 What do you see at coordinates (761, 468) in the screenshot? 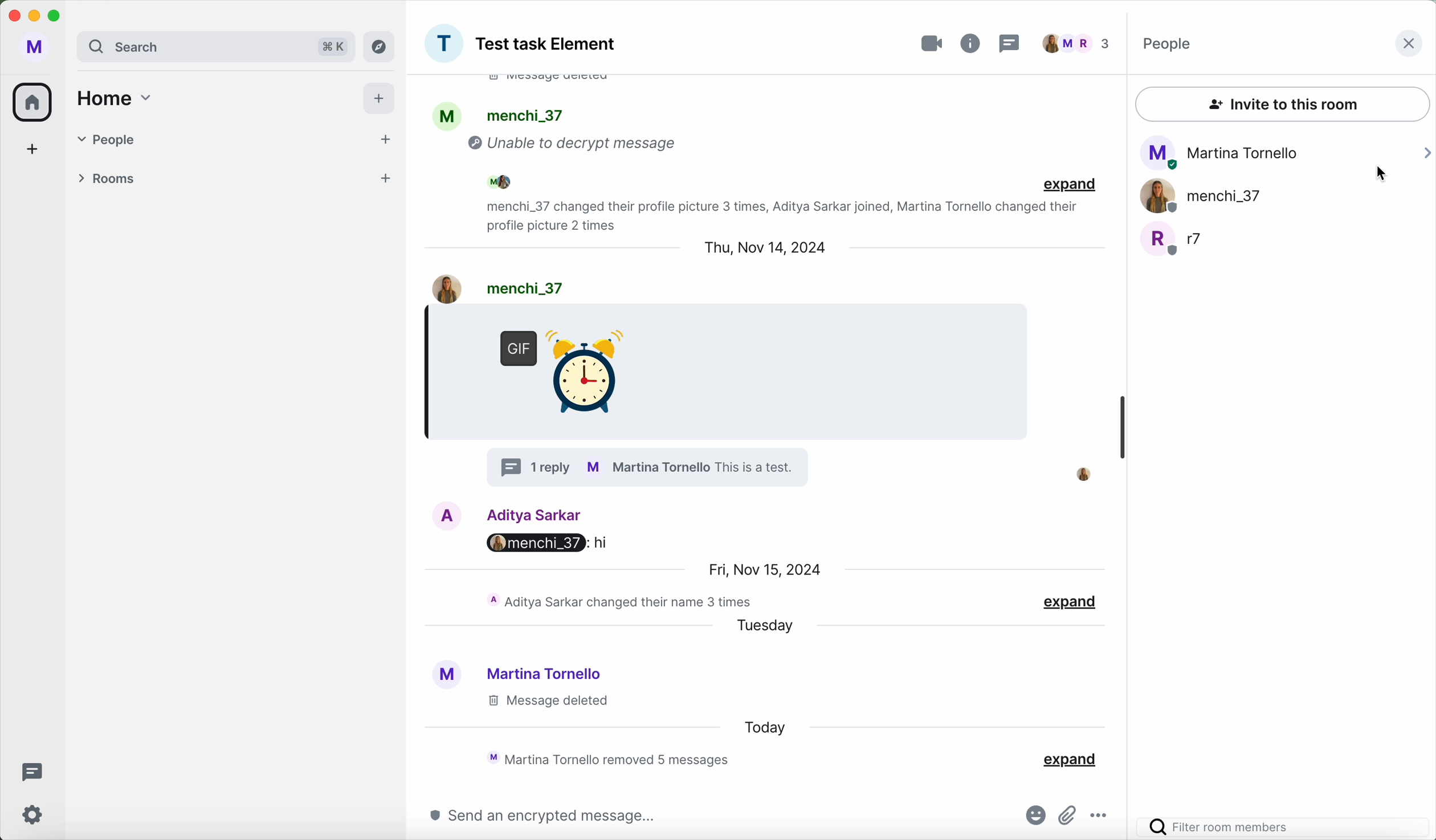
I see `text` at bounding box center [761, 468].